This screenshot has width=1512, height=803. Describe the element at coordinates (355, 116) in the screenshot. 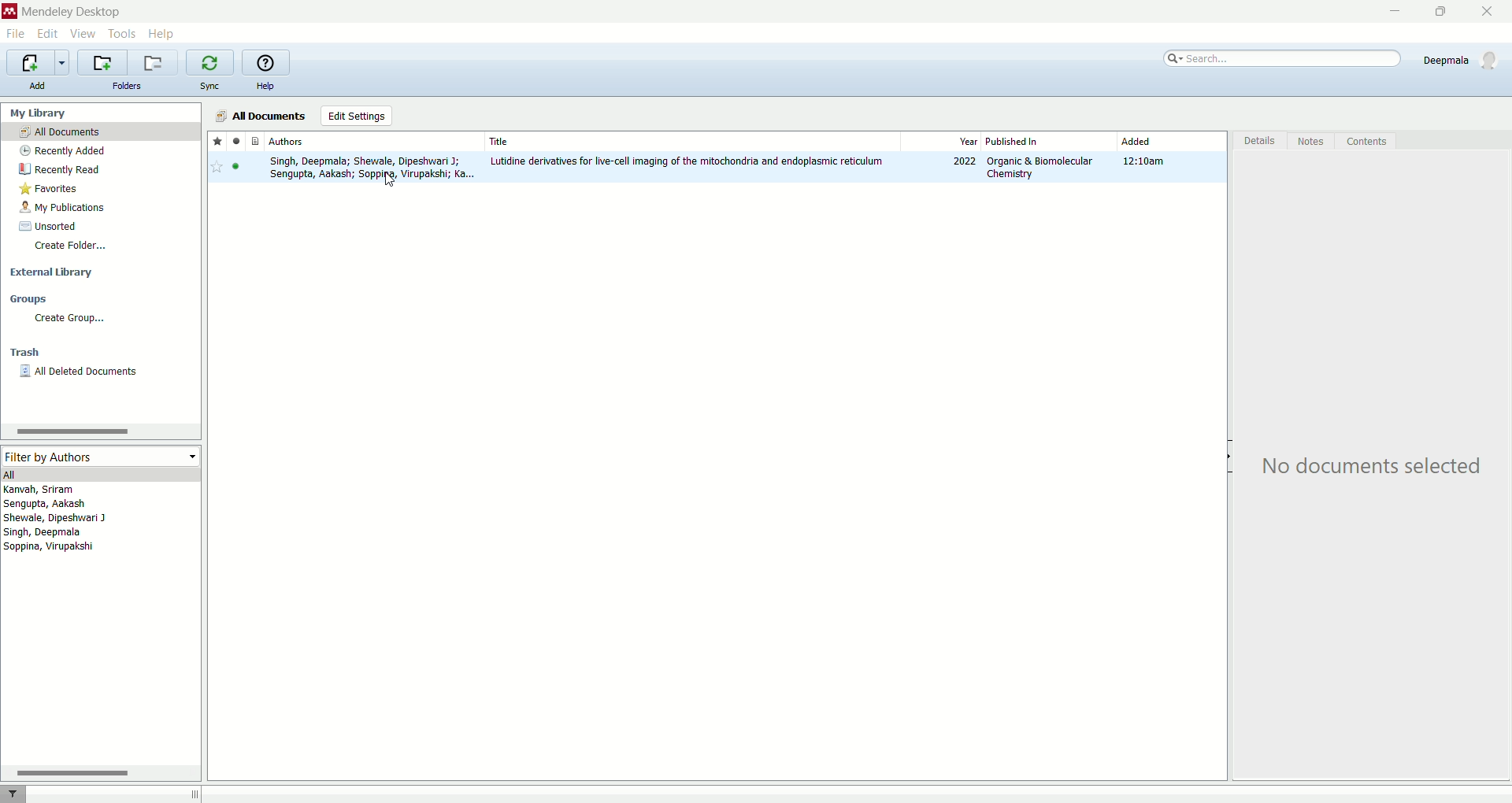

I see `edit settings` at that location.